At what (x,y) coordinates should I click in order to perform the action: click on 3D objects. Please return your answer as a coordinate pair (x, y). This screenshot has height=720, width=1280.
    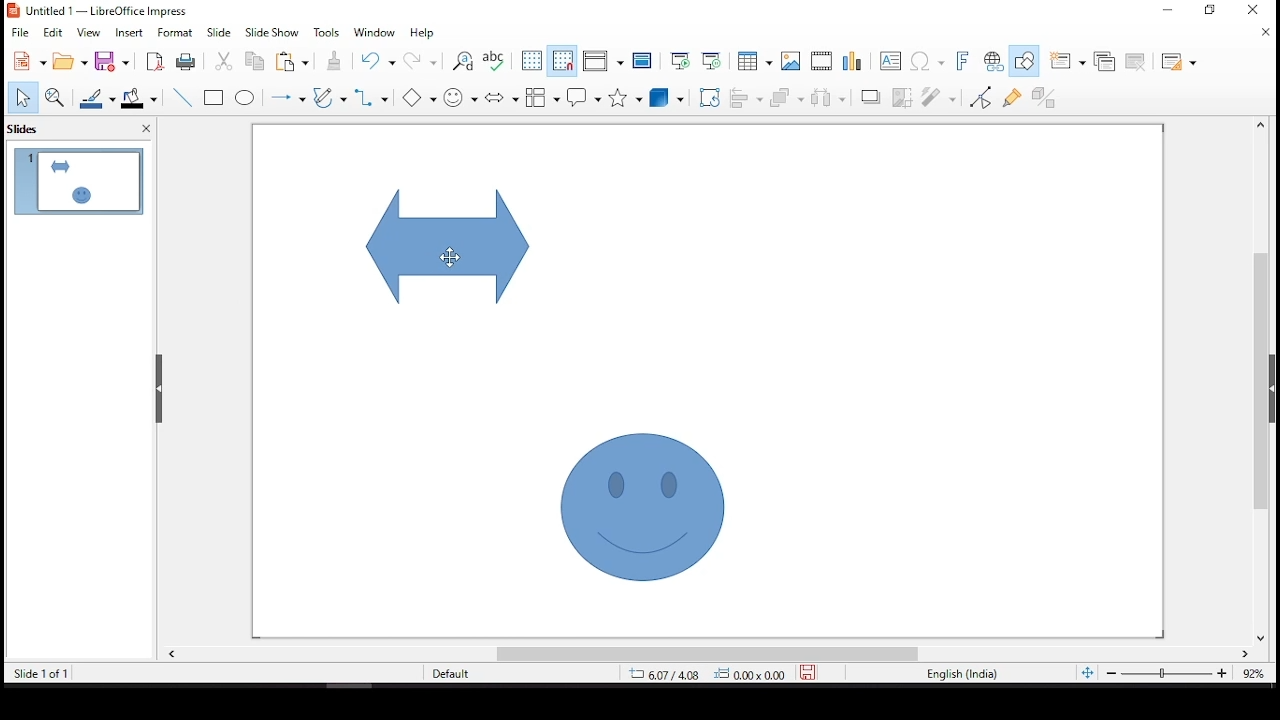
    Looking at the image, I should click on (665, 98).